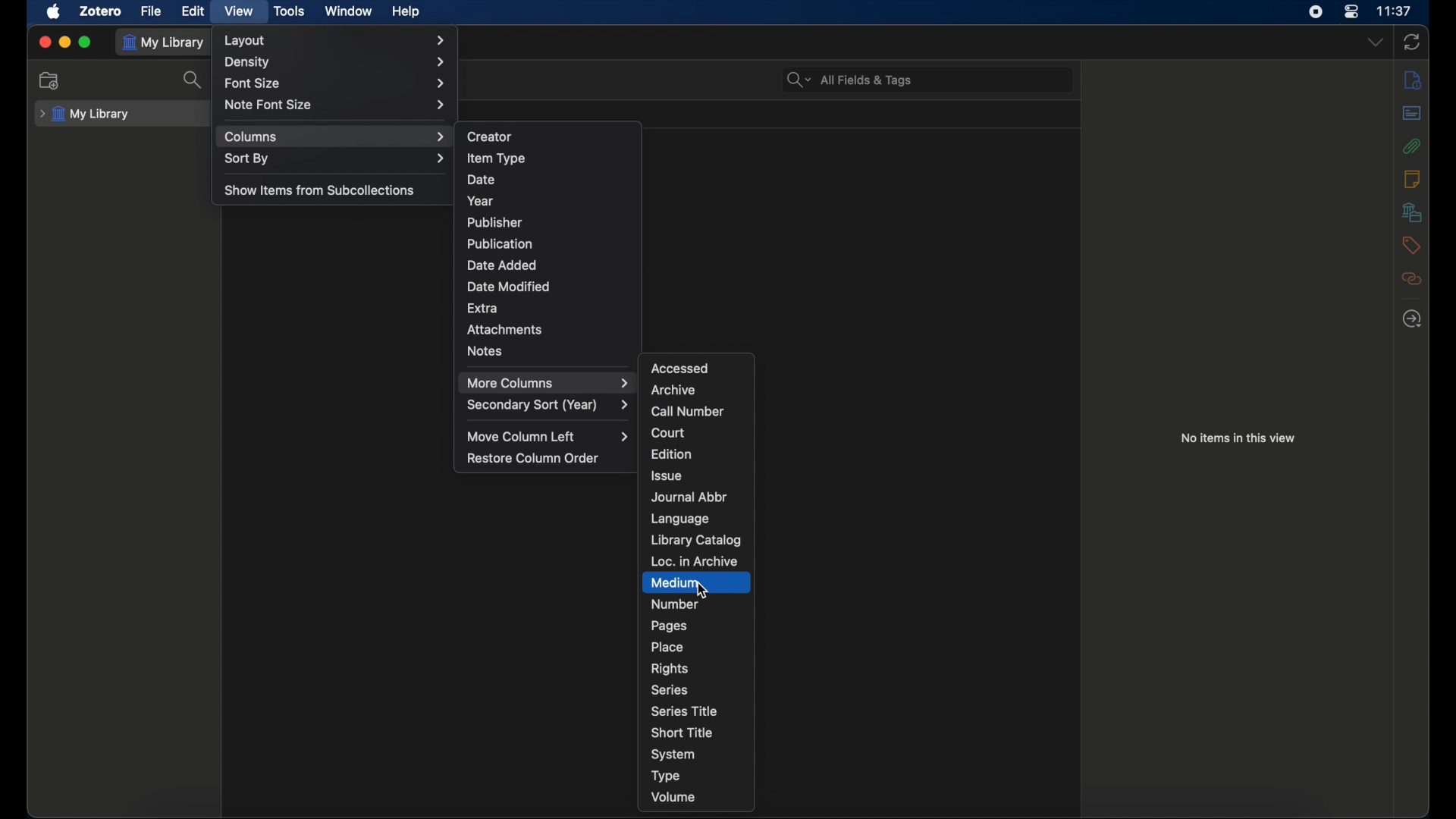  I want to click on year, so click(481, 201).